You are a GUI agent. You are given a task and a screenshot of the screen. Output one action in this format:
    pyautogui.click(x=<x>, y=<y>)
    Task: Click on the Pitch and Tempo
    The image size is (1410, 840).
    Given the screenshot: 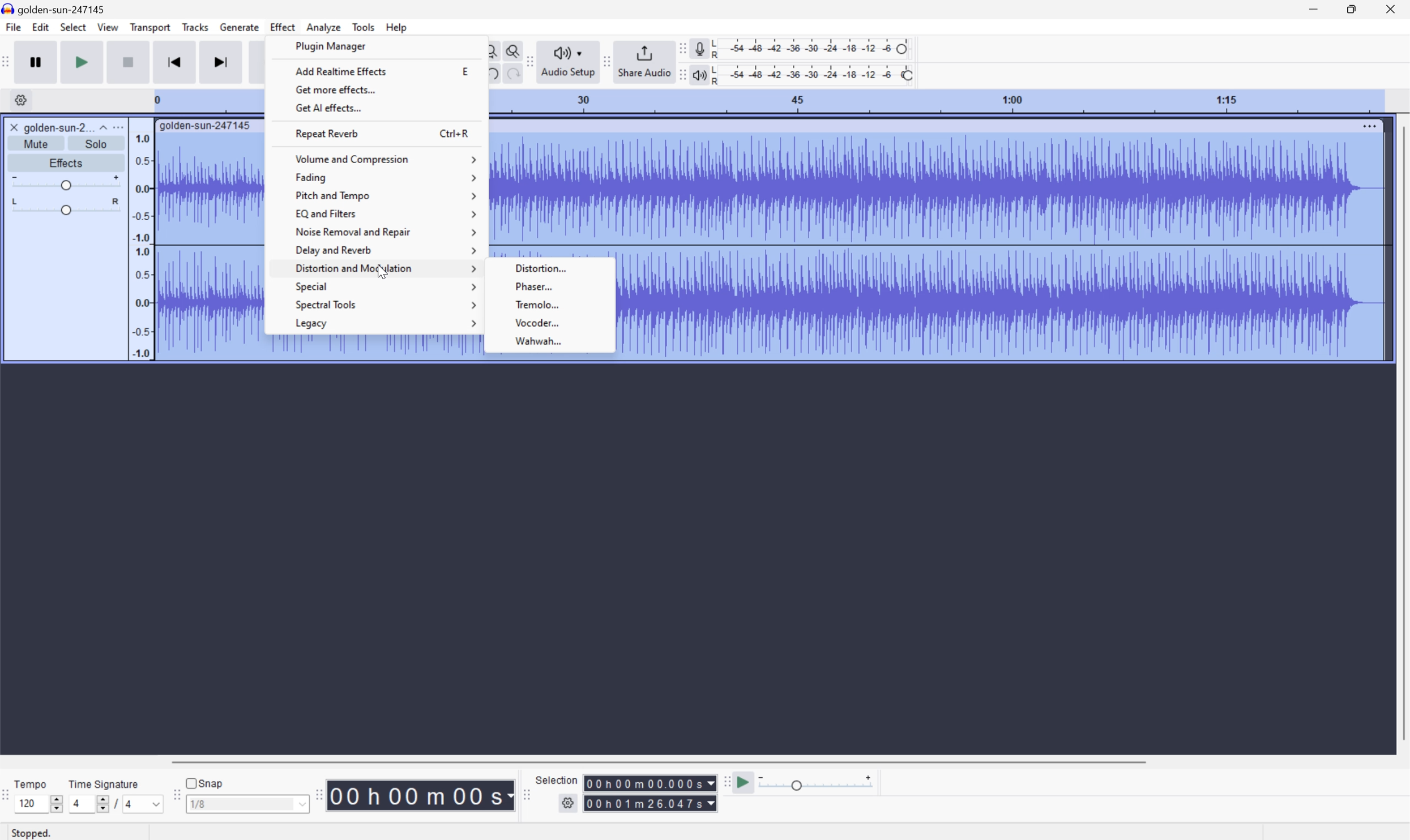 What is the action you would take?
    pyautogui.click(x=383, y=197)
    